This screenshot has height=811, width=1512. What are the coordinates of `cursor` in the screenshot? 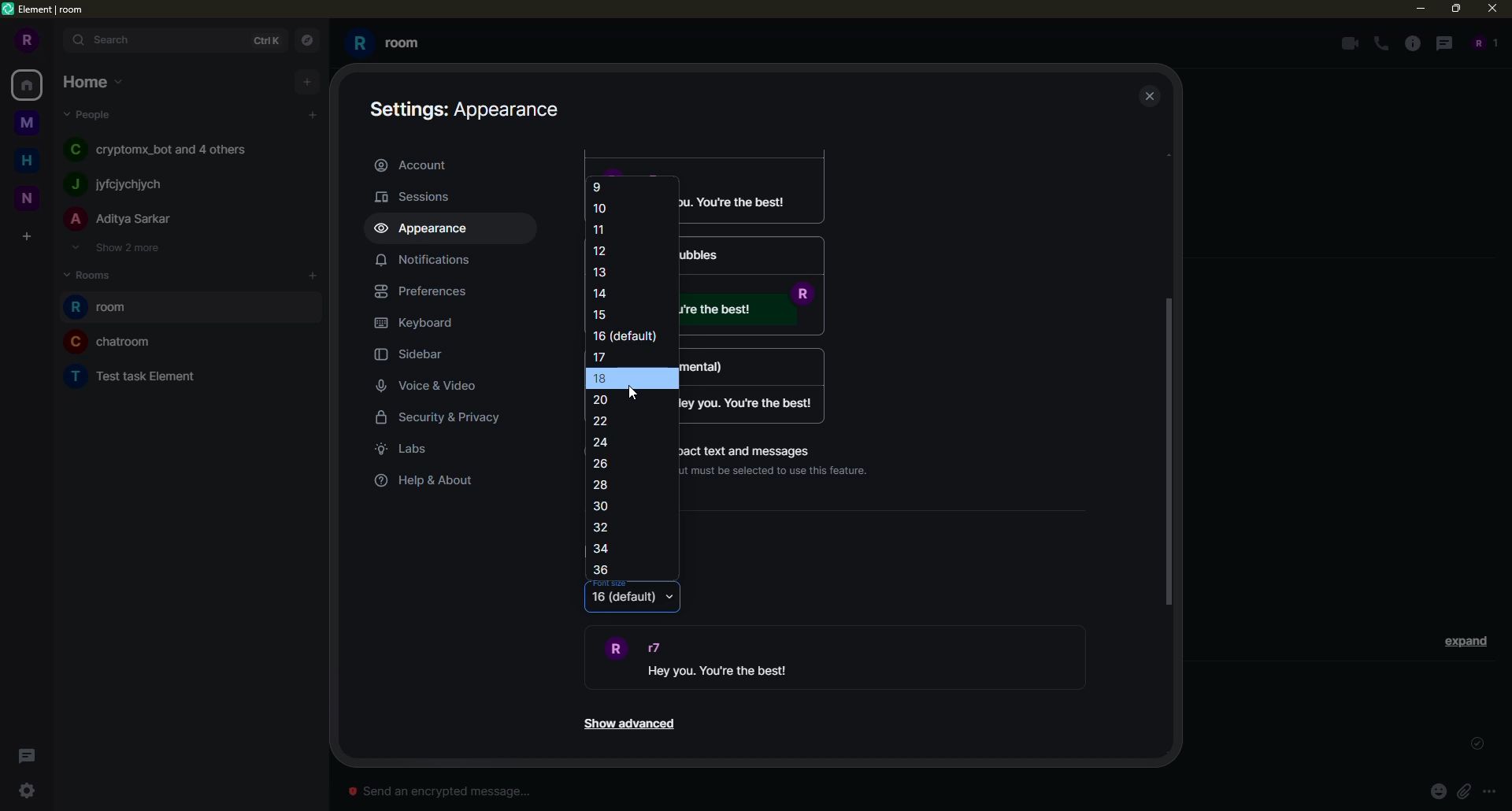 It's located at (635, 391).